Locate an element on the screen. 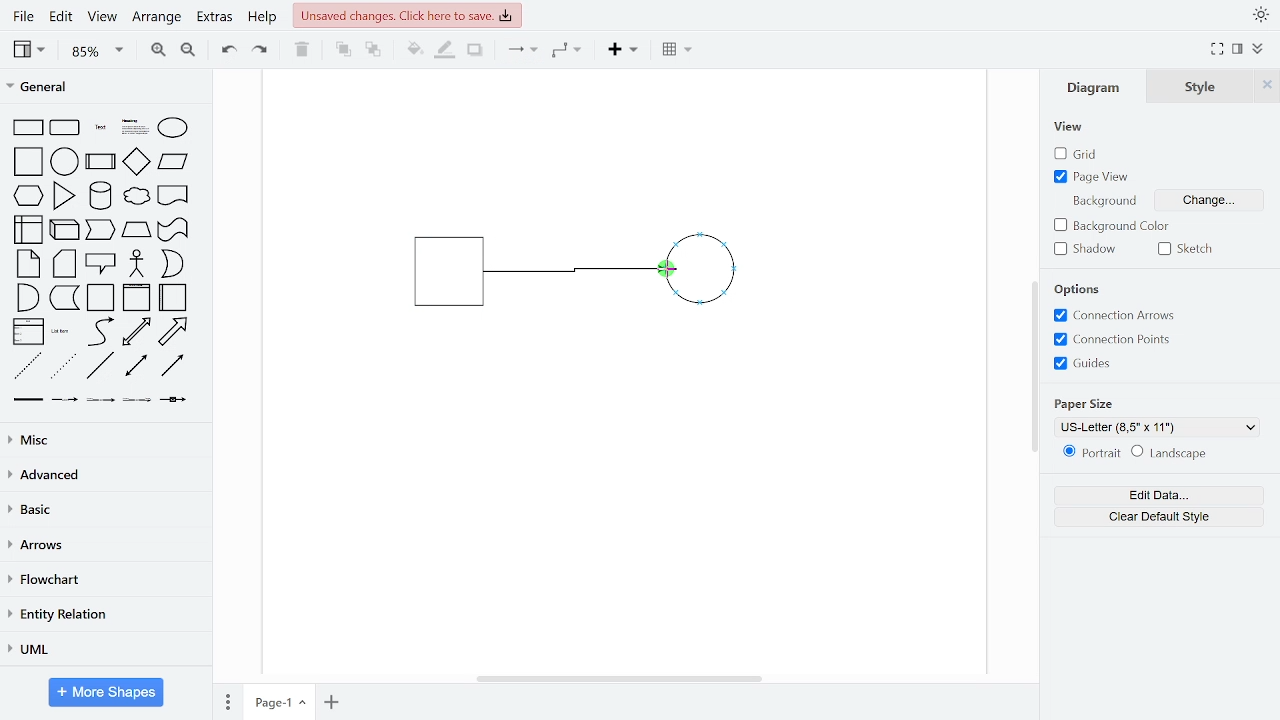  diagram is located at coordinates (1098, 86).